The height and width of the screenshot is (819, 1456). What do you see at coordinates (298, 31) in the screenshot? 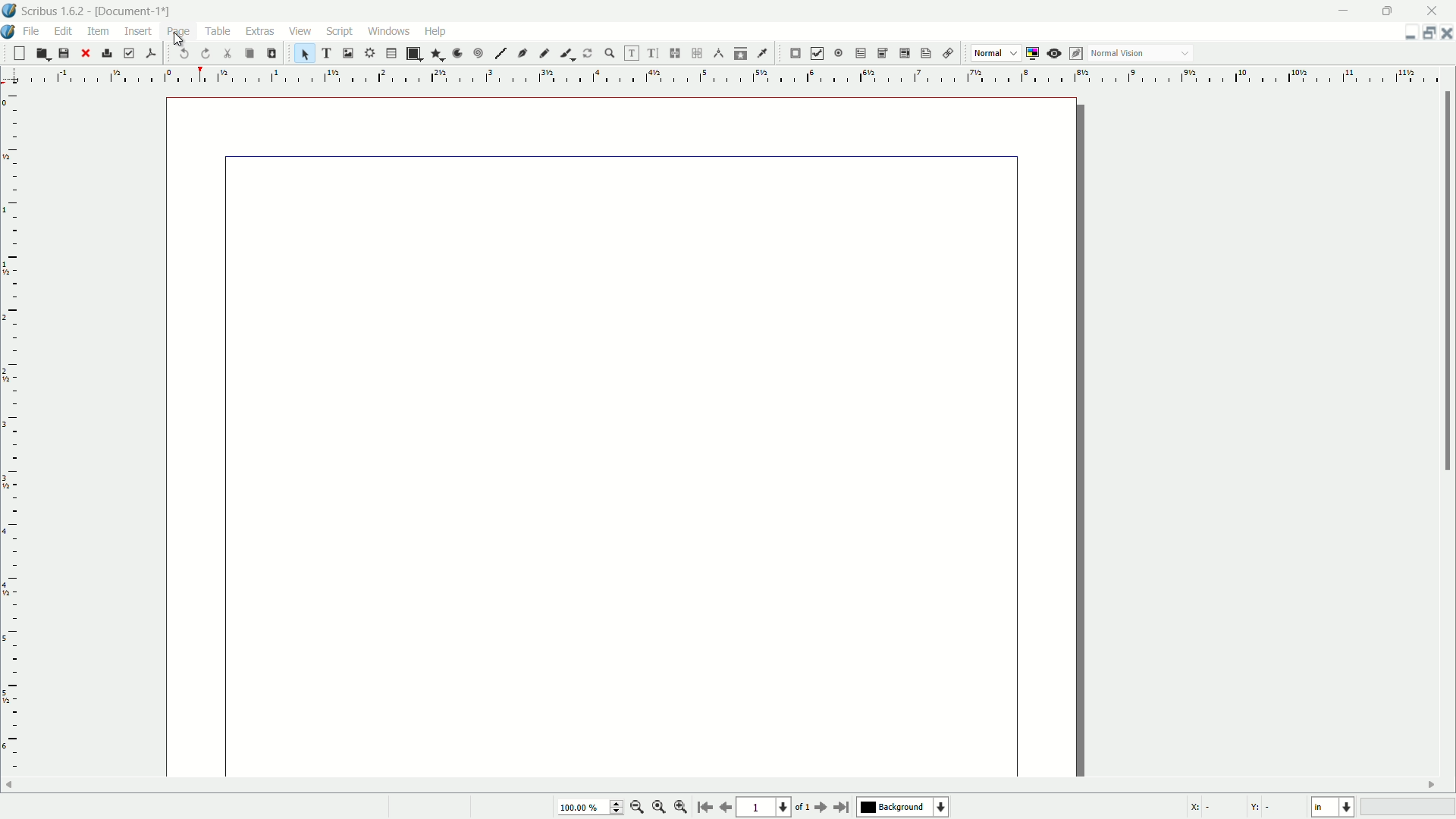
I see `view menu` at bounding box center [298, 31].